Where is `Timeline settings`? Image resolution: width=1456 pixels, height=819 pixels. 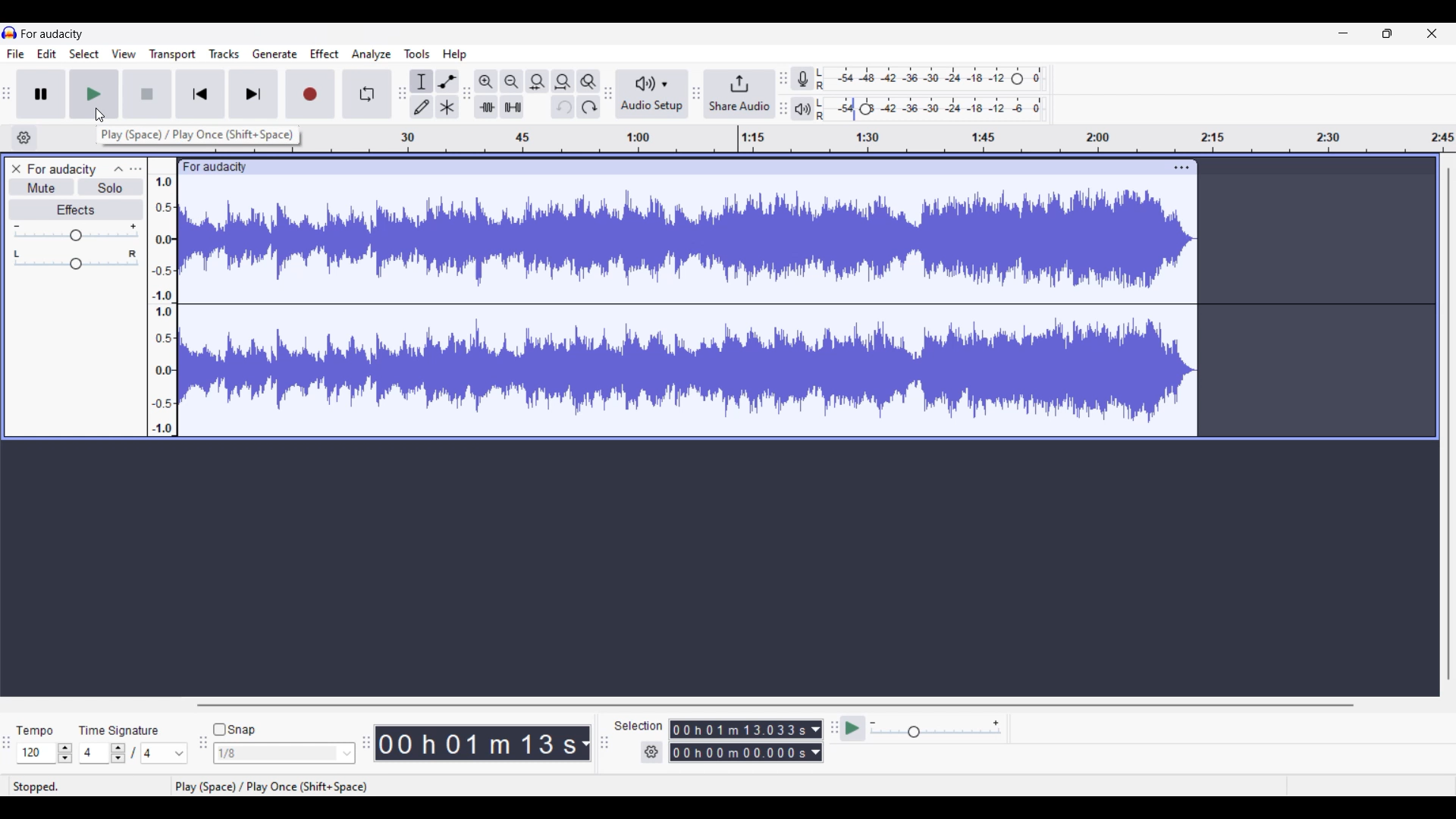 Timeline settings is located at coordinates (24, 137).